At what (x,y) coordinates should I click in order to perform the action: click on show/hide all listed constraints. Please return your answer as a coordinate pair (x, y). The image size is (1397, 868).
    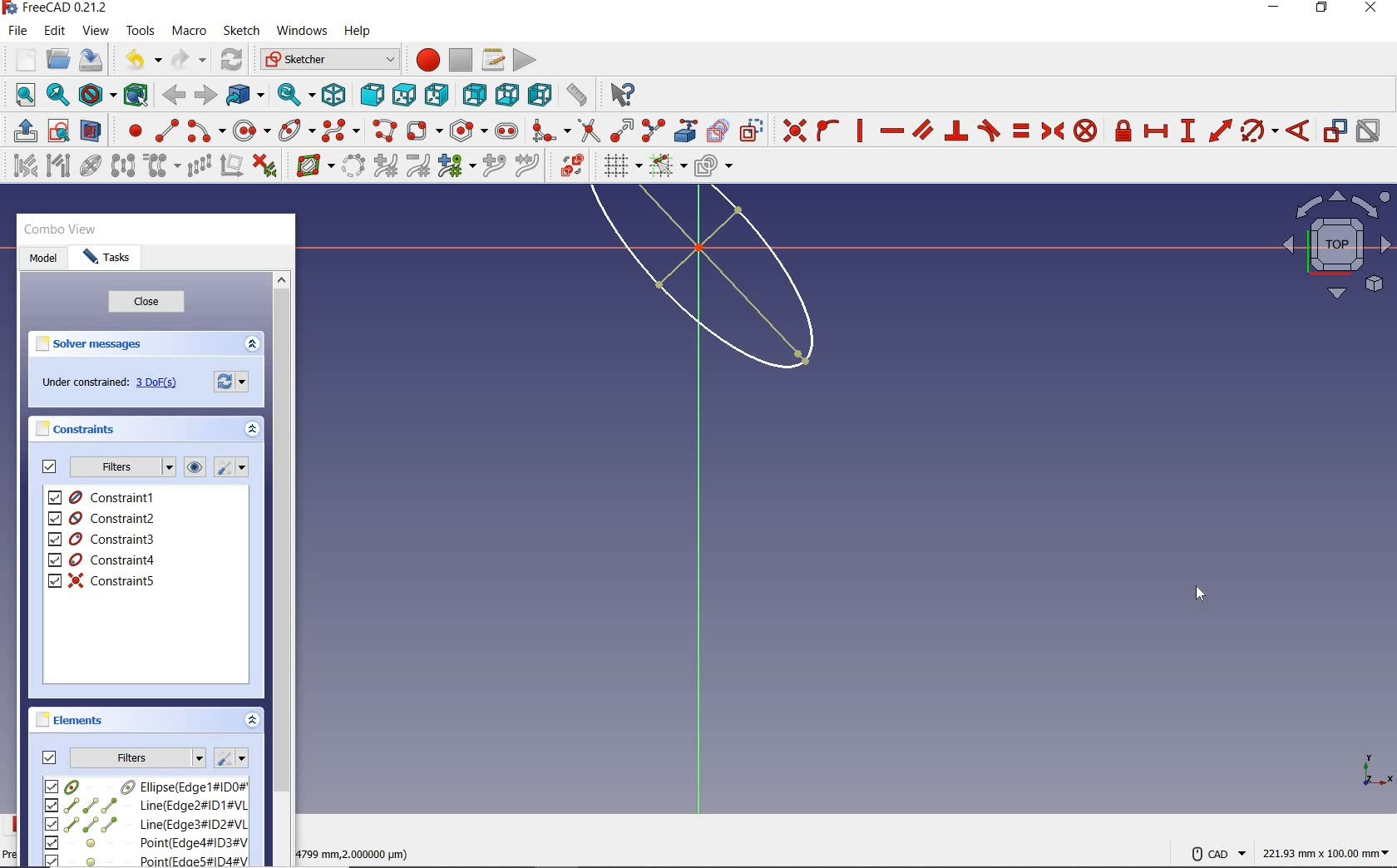
    Looking at the image, I should click on (192, 468).